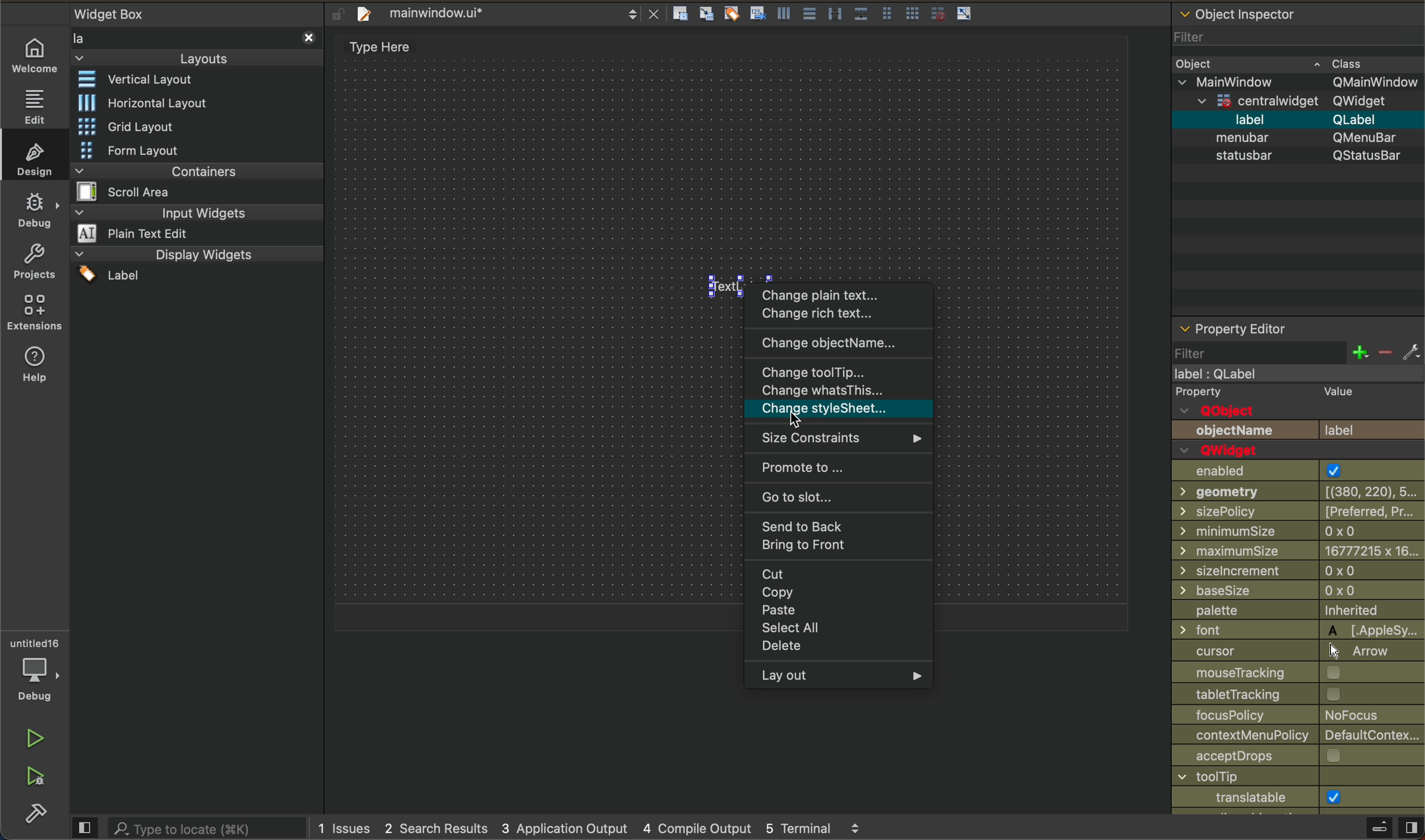  Describe the element at coordinates (37, 778) in the screenshot. I see `run and debug` at that location.